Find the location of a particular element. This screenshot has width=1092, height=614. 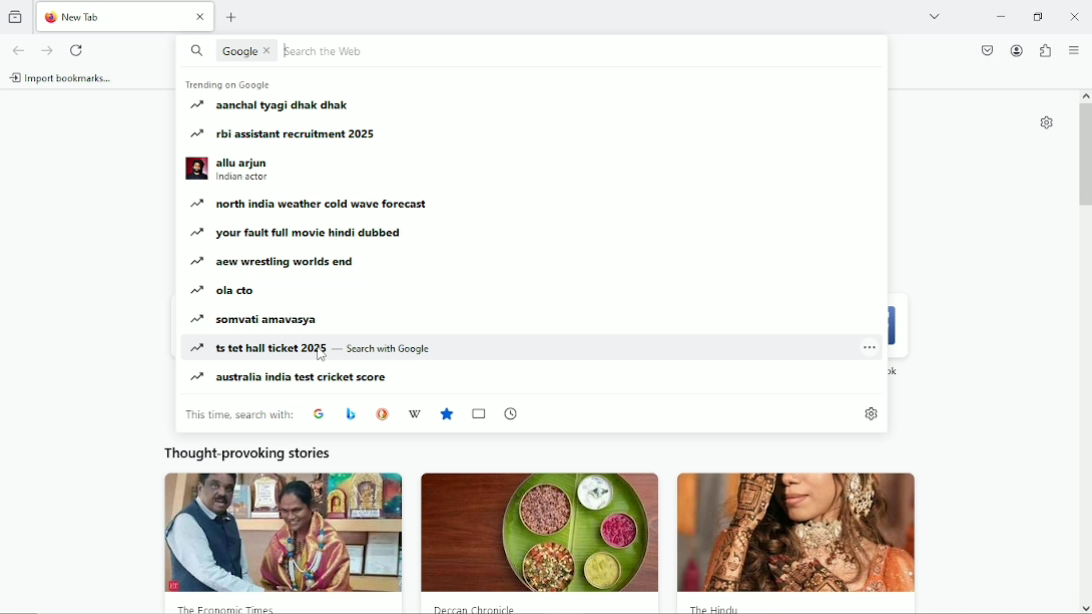

new tab is located at coordinates (109, 17).